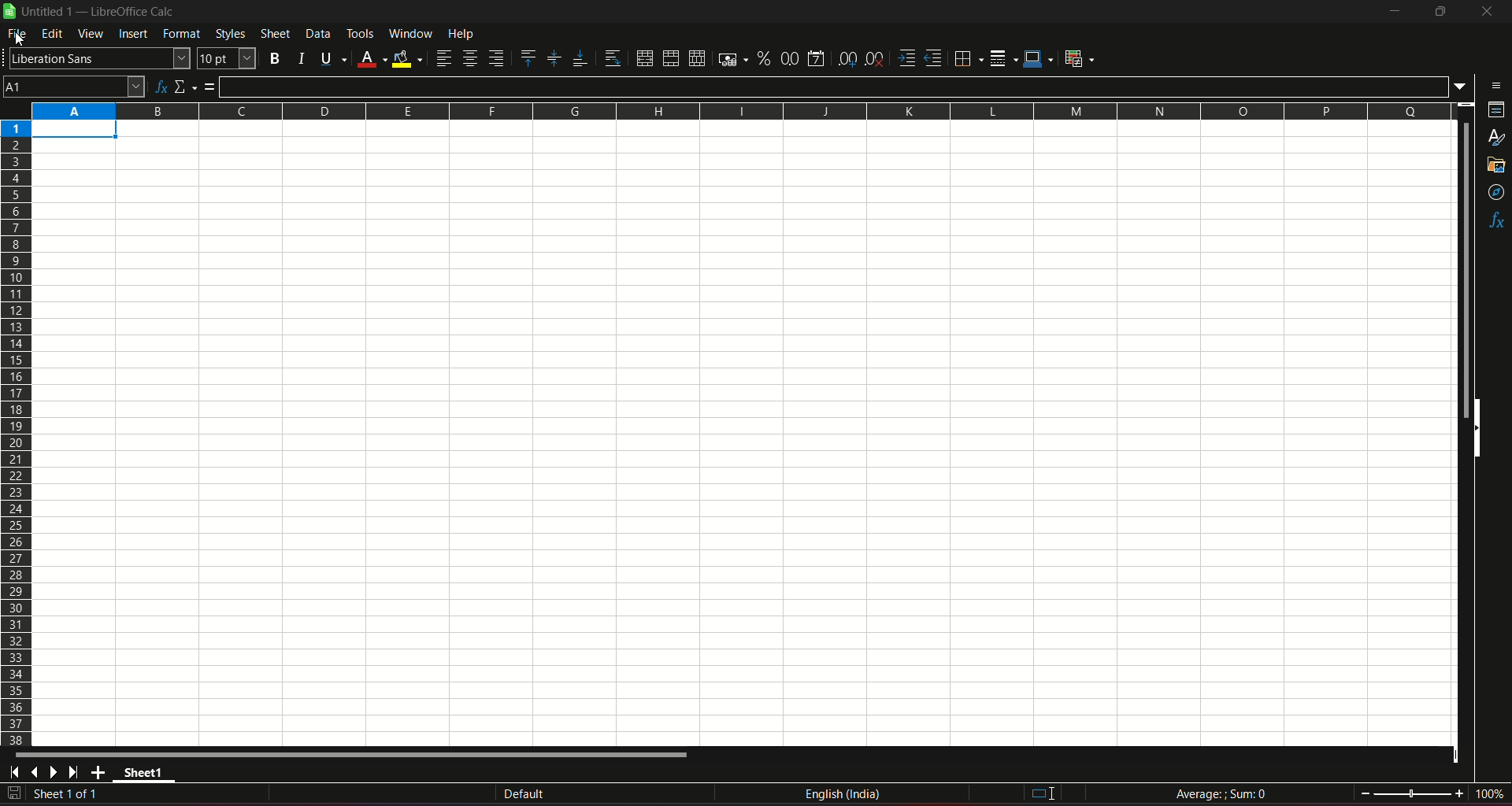 This screenshot has height=806, width=1512. What do you see at coordinates (101, 13) in the screenshot?
I see `untitled 1- libreoffice calc` at bounding box center [101, 13].